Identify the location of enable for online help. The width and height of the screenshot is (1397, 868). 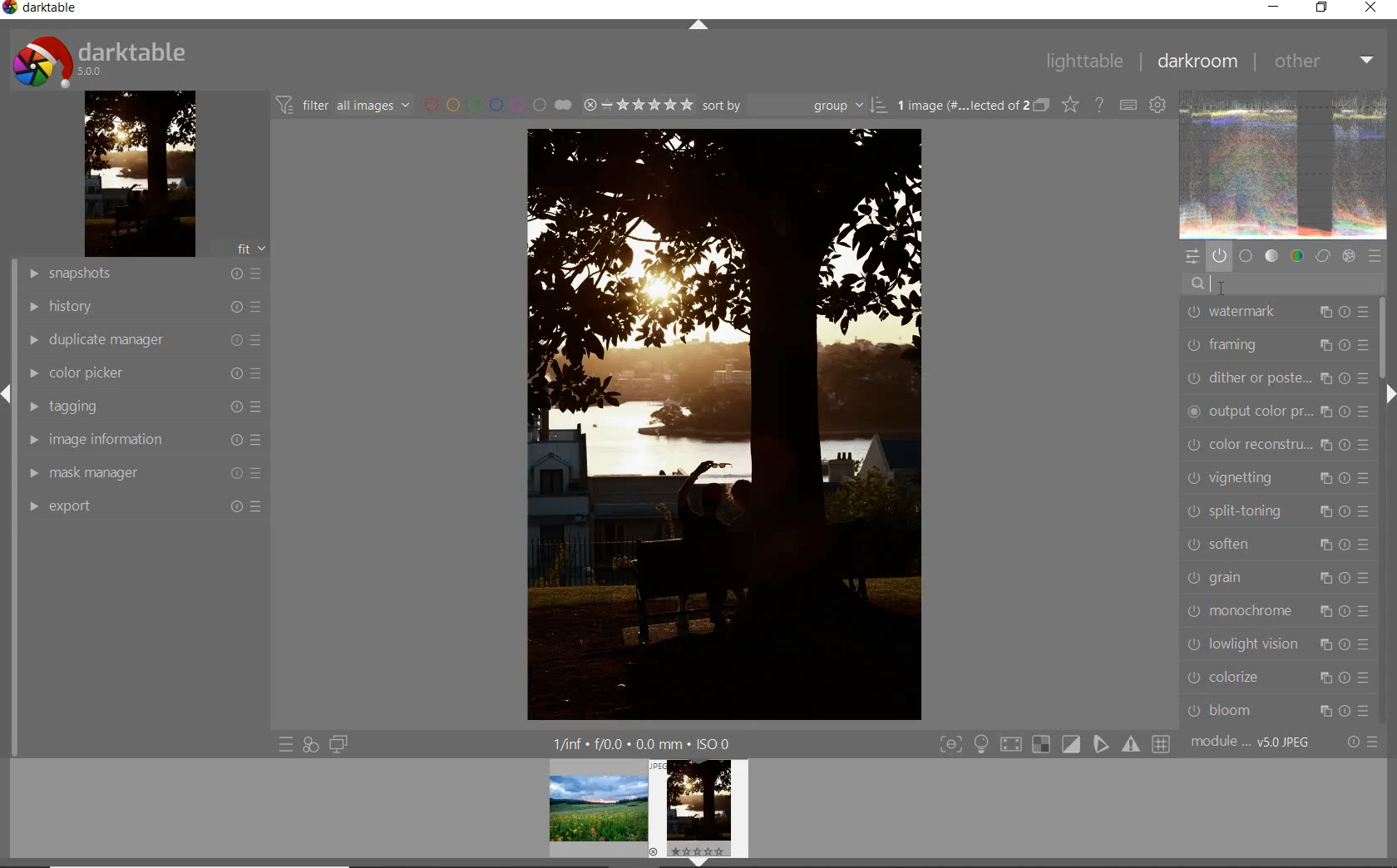
(1102, 106).